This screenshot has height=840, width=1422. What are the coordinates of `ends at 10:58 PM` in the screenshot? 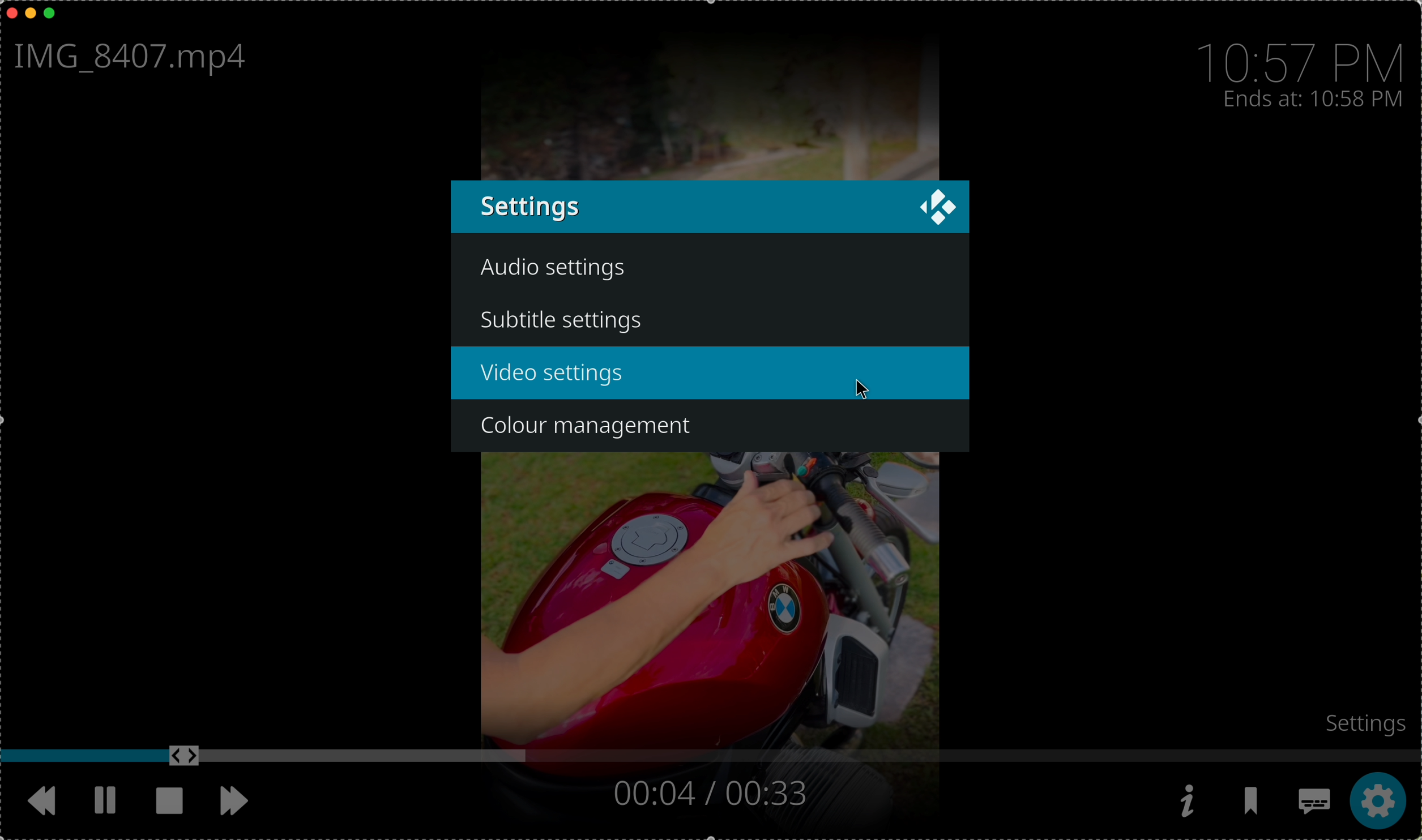 It's located at (1313, 100).